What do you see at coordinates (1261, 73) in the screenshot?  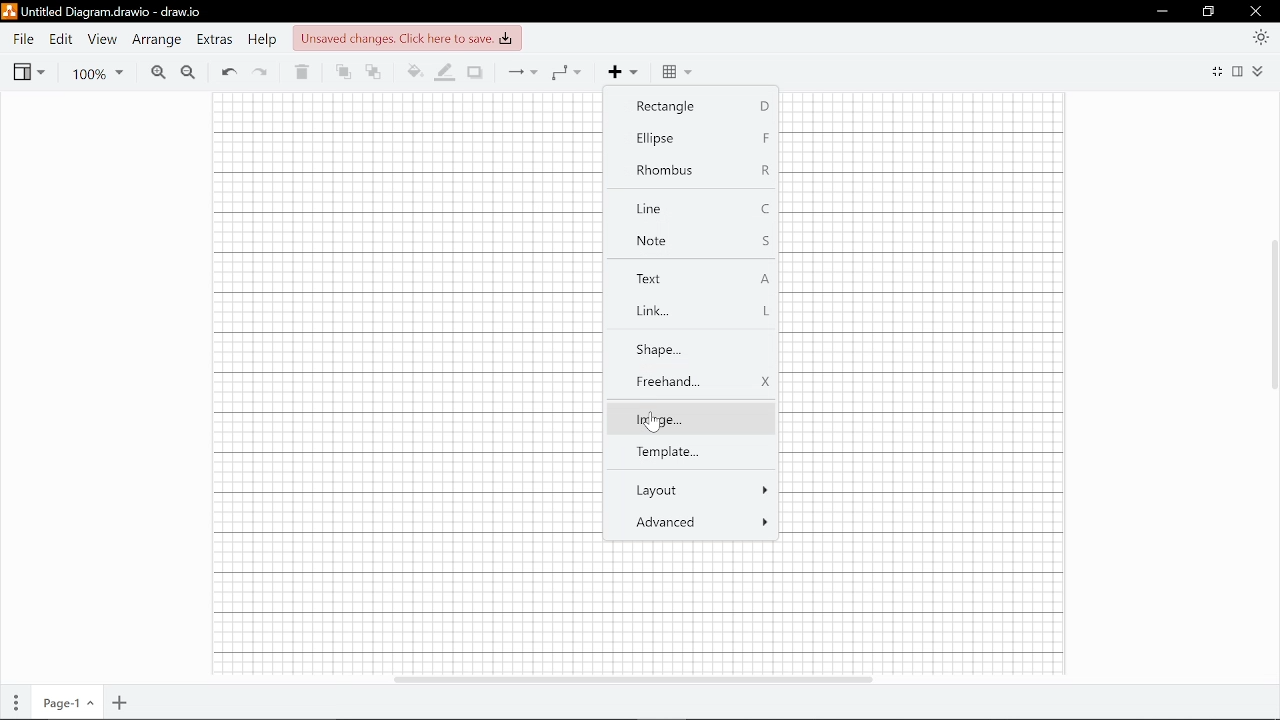 I see `Collapse/expand` at bounding box center [1261, 73].